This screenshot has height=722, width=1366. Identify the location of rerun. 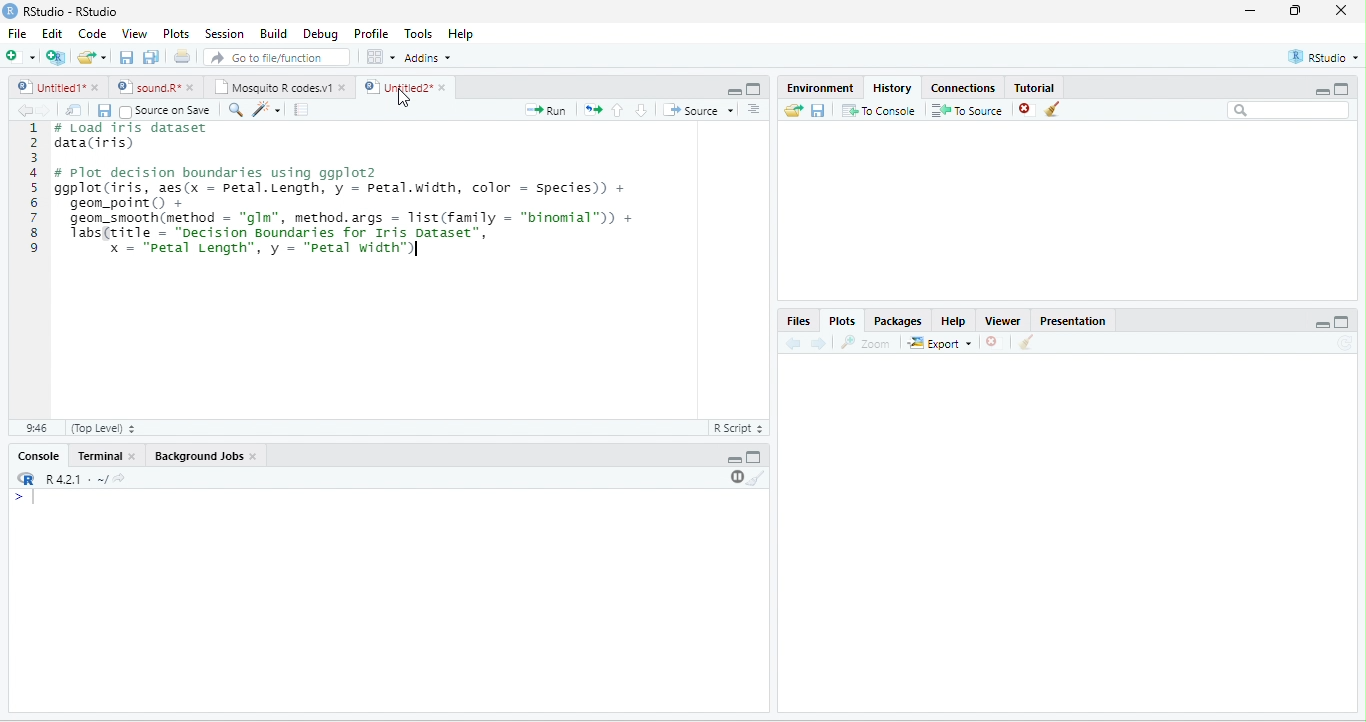
(592, 110).